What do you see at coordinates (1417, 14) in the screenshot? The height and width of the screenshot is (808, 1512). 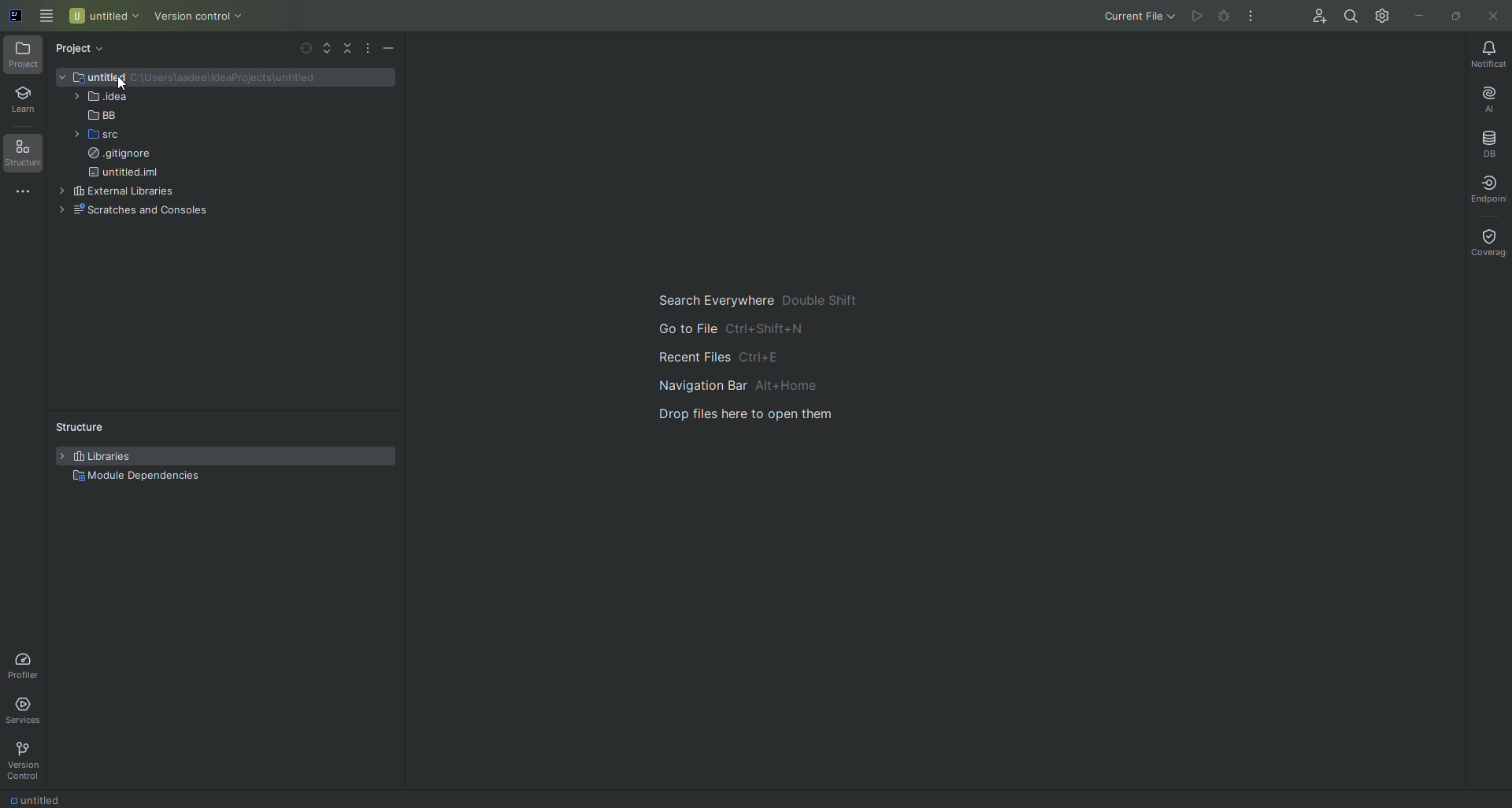 I see `Minimize` at bounding box center [1417, 14].